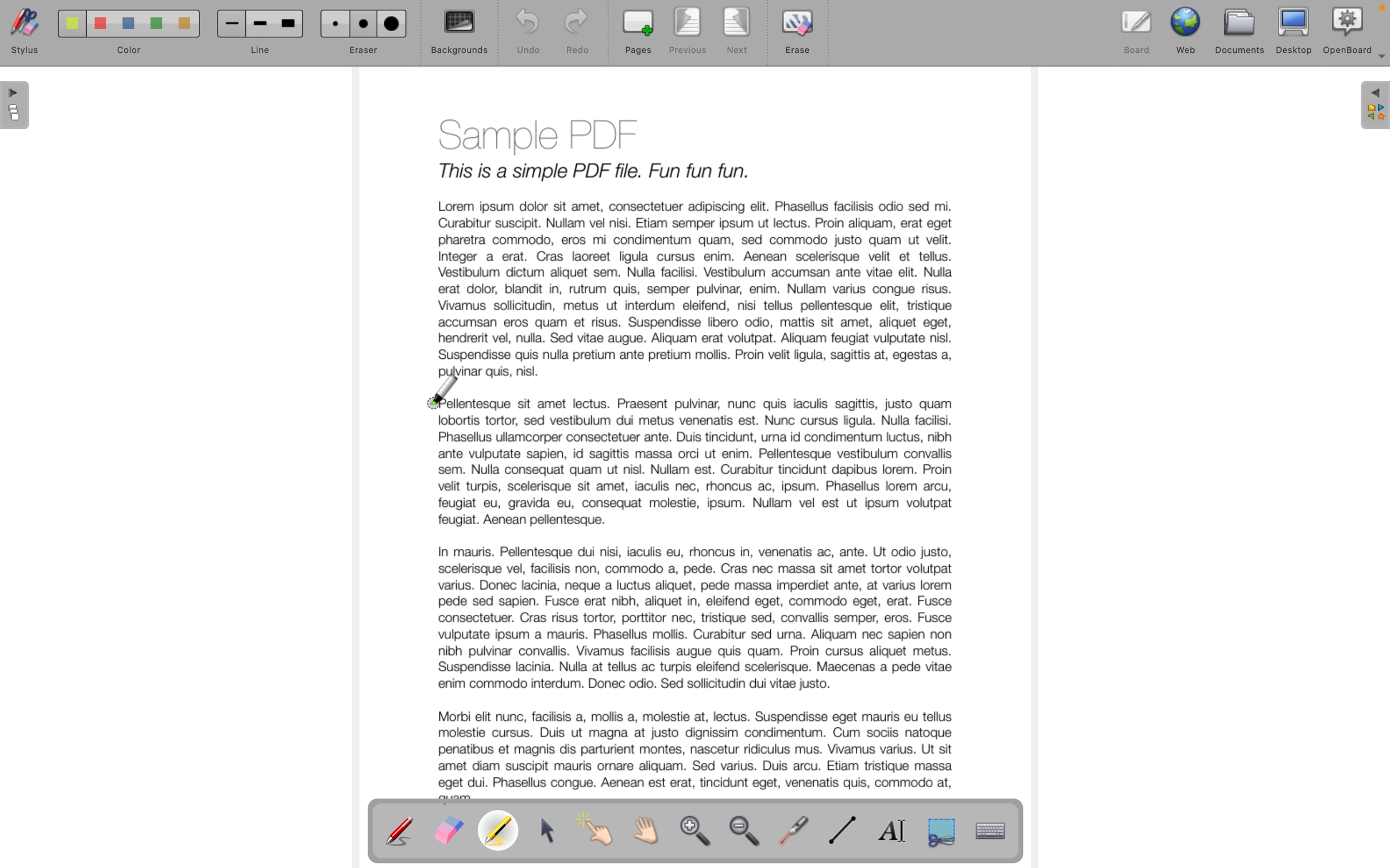 This screenshot has height=868, width=1390. Describe the element at coordinates (362, 33) in the screenshot. I see `eraser` at that location.